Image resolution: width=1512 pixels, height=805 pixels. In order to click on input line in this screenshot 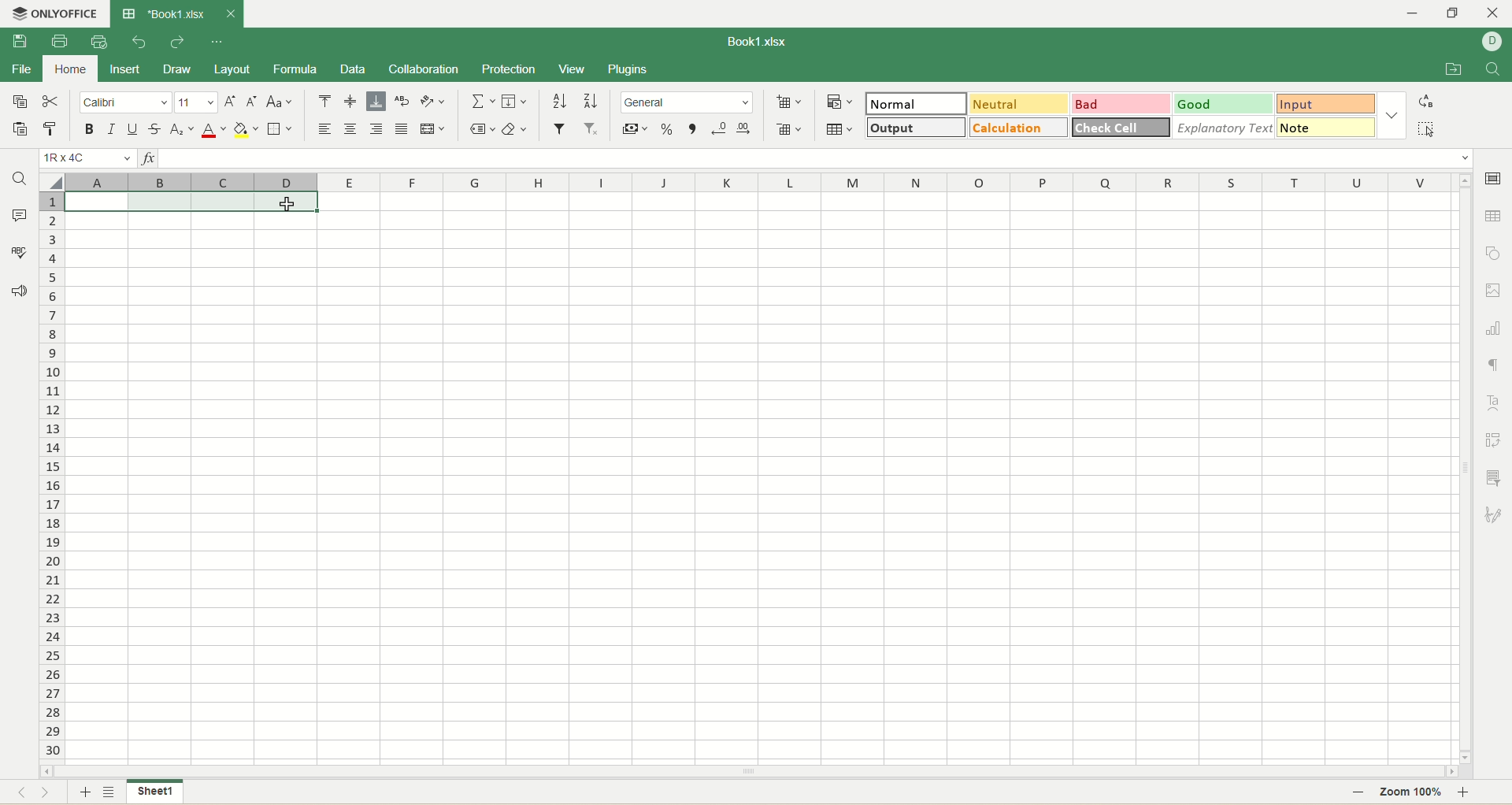, I will do `click(819, 159)`.